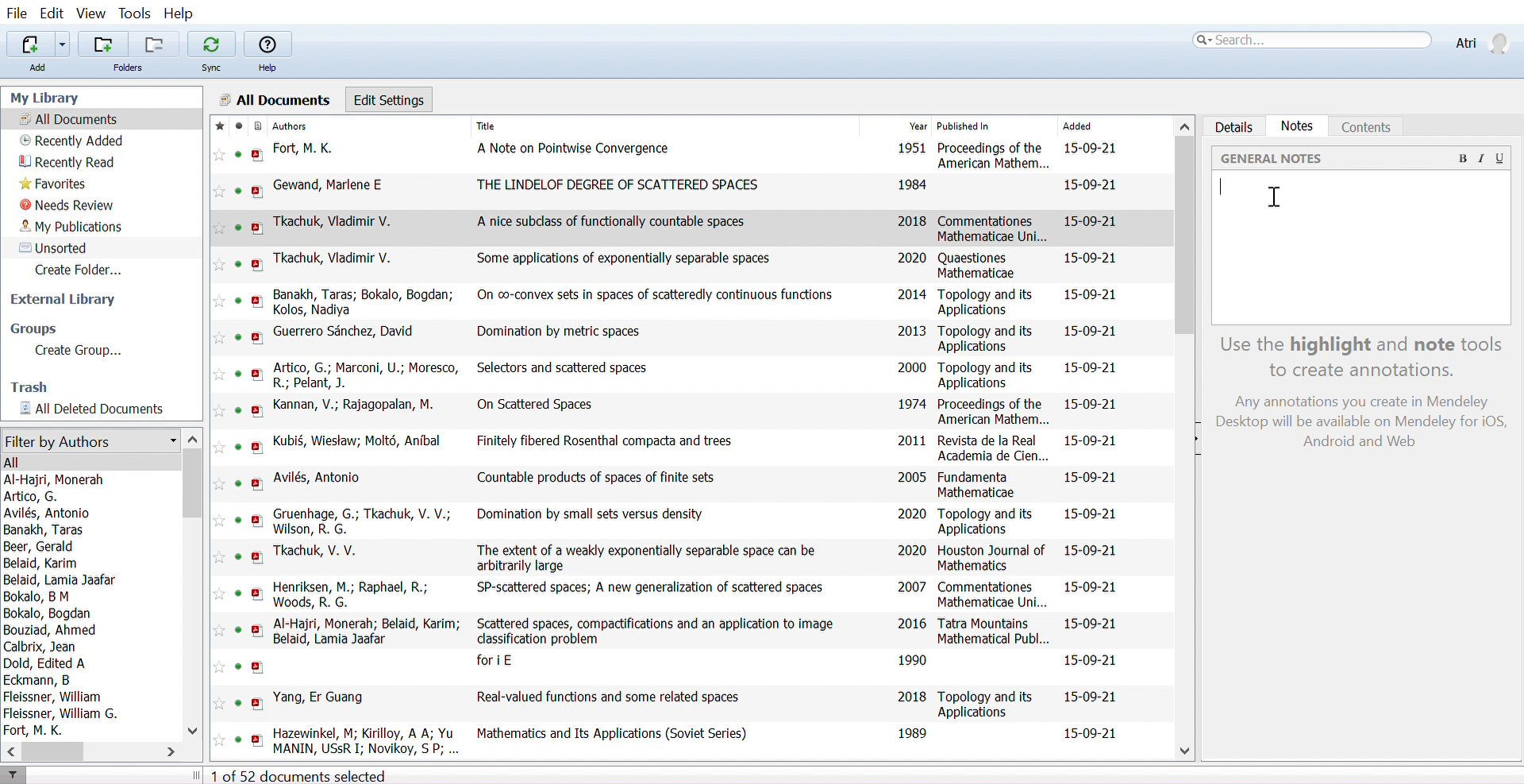  Describe the element at coordinates (1090, 478) in the screenshot. I see `15-09-21` at that location.